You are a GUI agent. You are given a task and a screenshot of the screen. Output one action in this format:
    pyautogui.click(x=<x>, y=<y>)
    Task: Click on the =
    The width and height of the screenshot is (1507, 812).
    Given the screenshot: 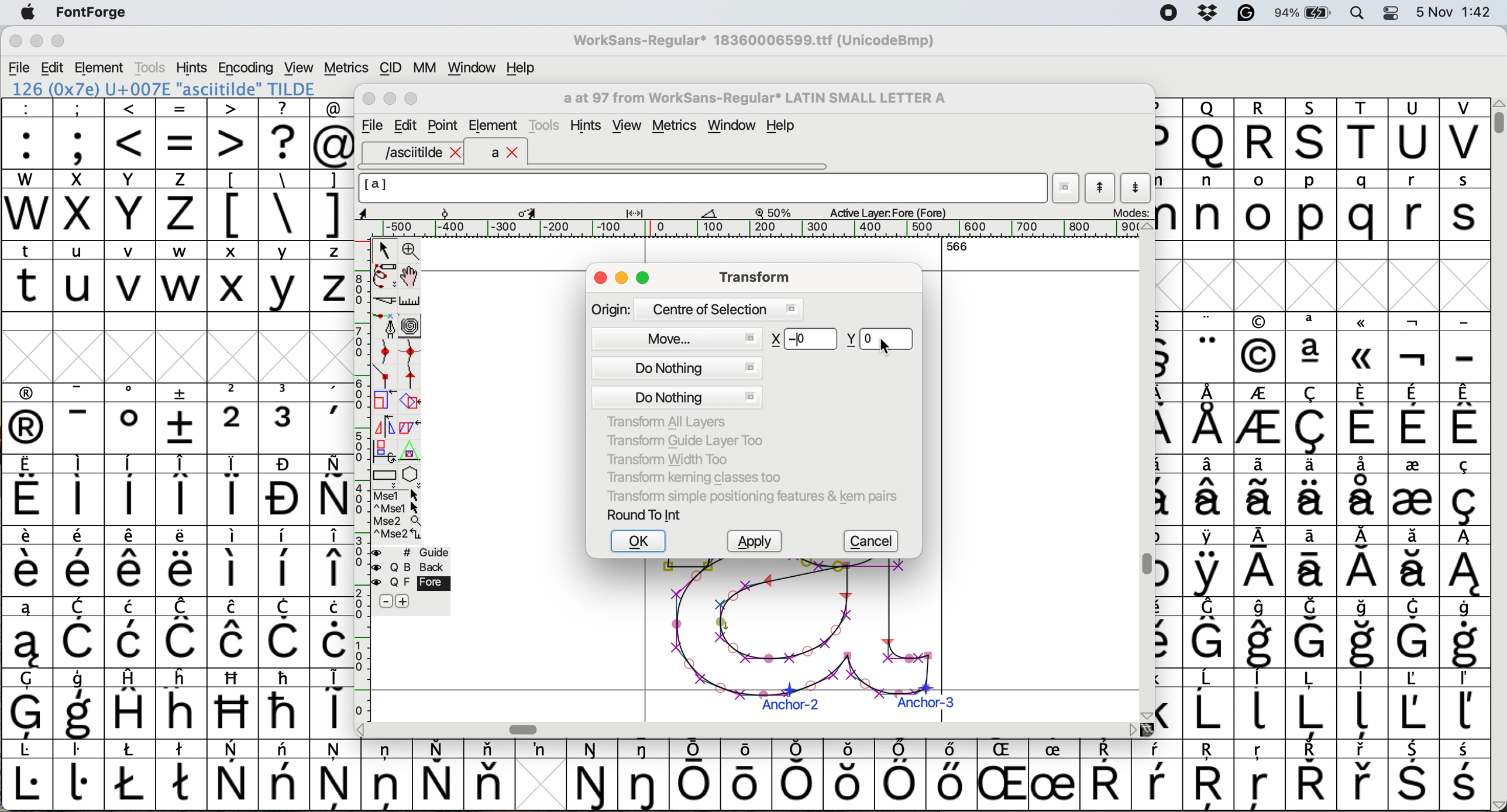 What is the action you would take?
    pyautogui.click(x=183, y=134)
    